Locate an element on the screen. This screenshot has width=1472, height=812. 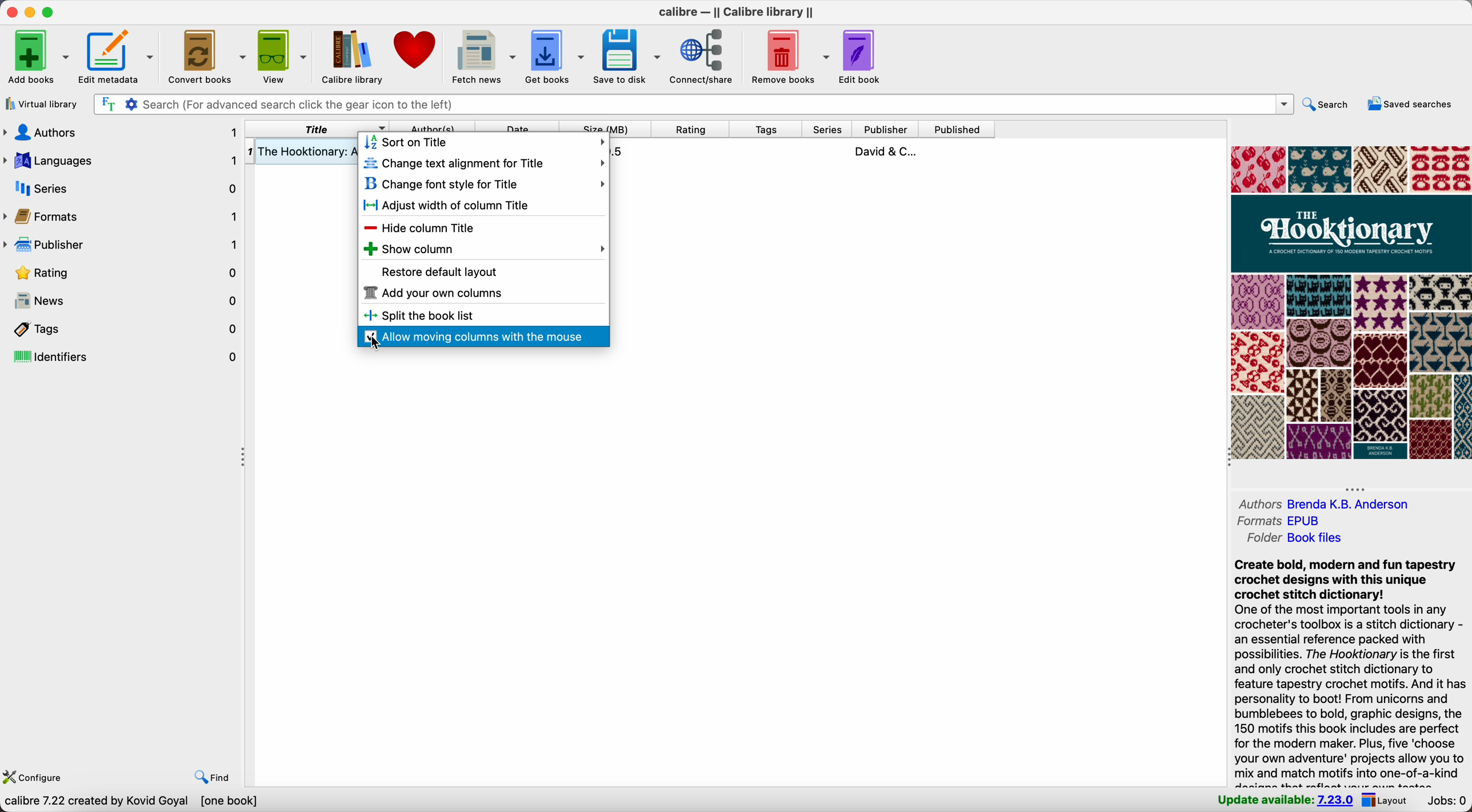
date is located at coordinates (516, 126).